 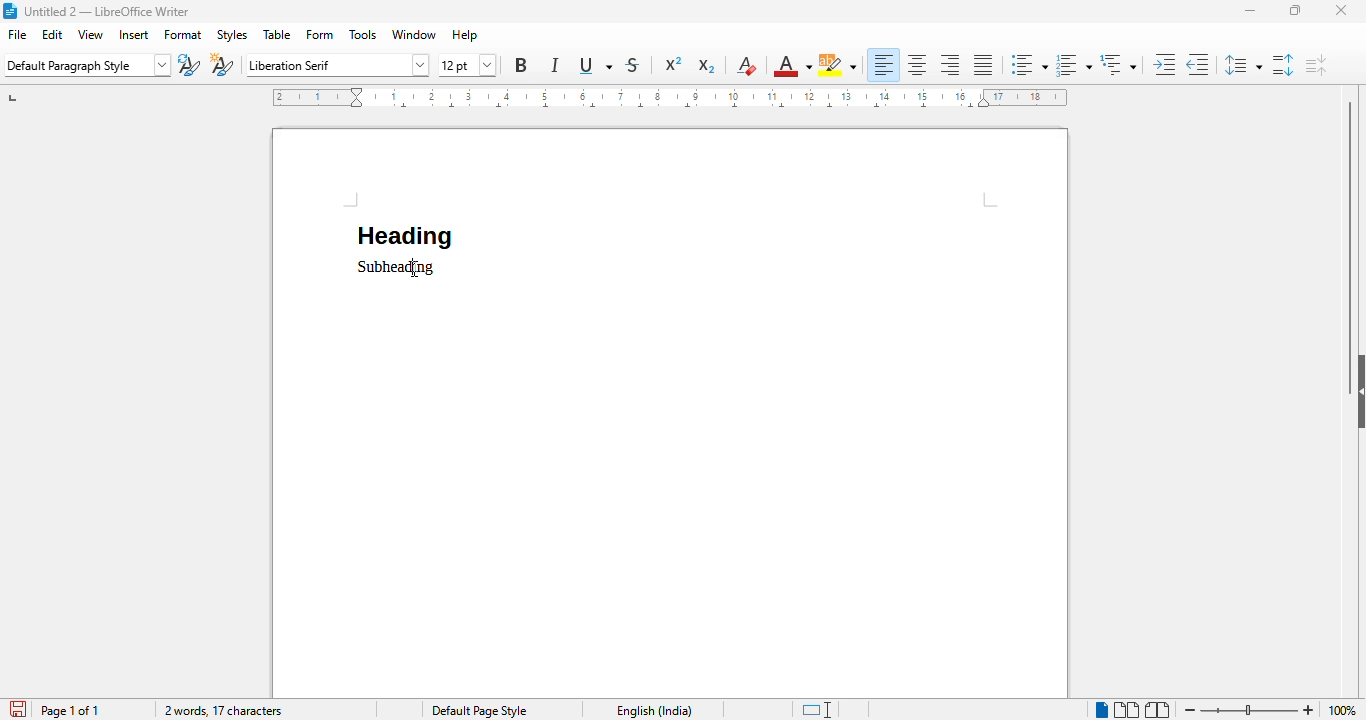 I want to click on format, so click(x=184, y=35).